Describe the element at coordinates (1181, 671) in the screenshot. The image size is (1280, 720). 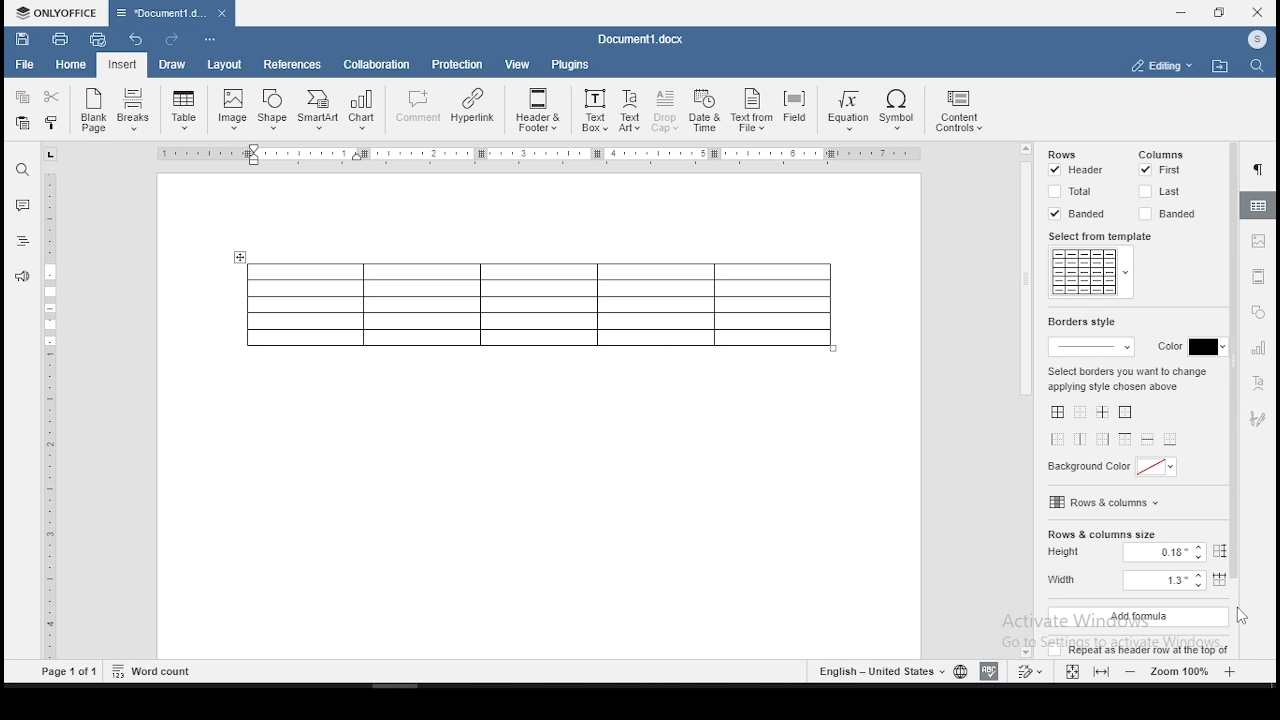
I see `zoom level` at that location.